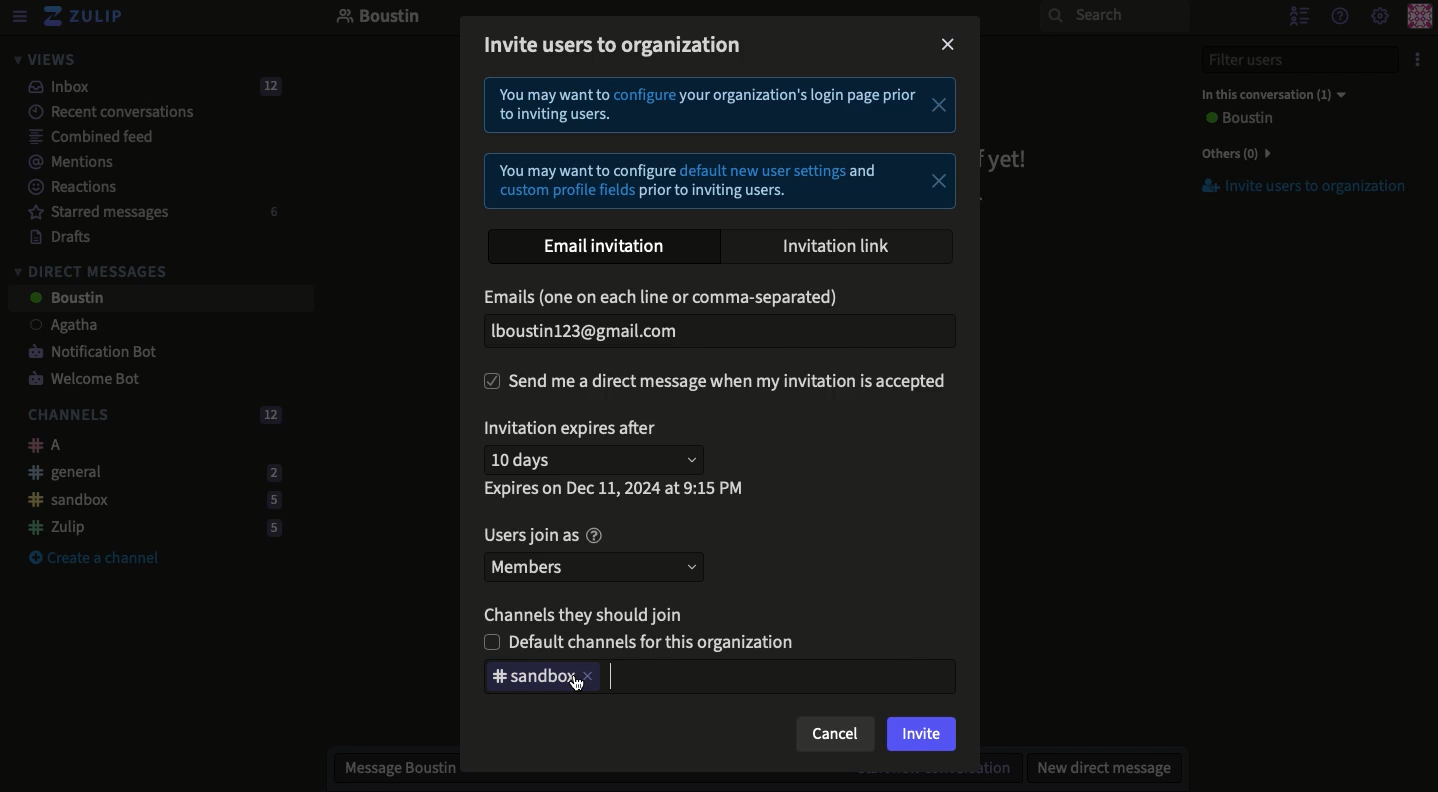  Describe the element at coordinates (835, 734) in the screenshot. I see `Cancel` at that location.